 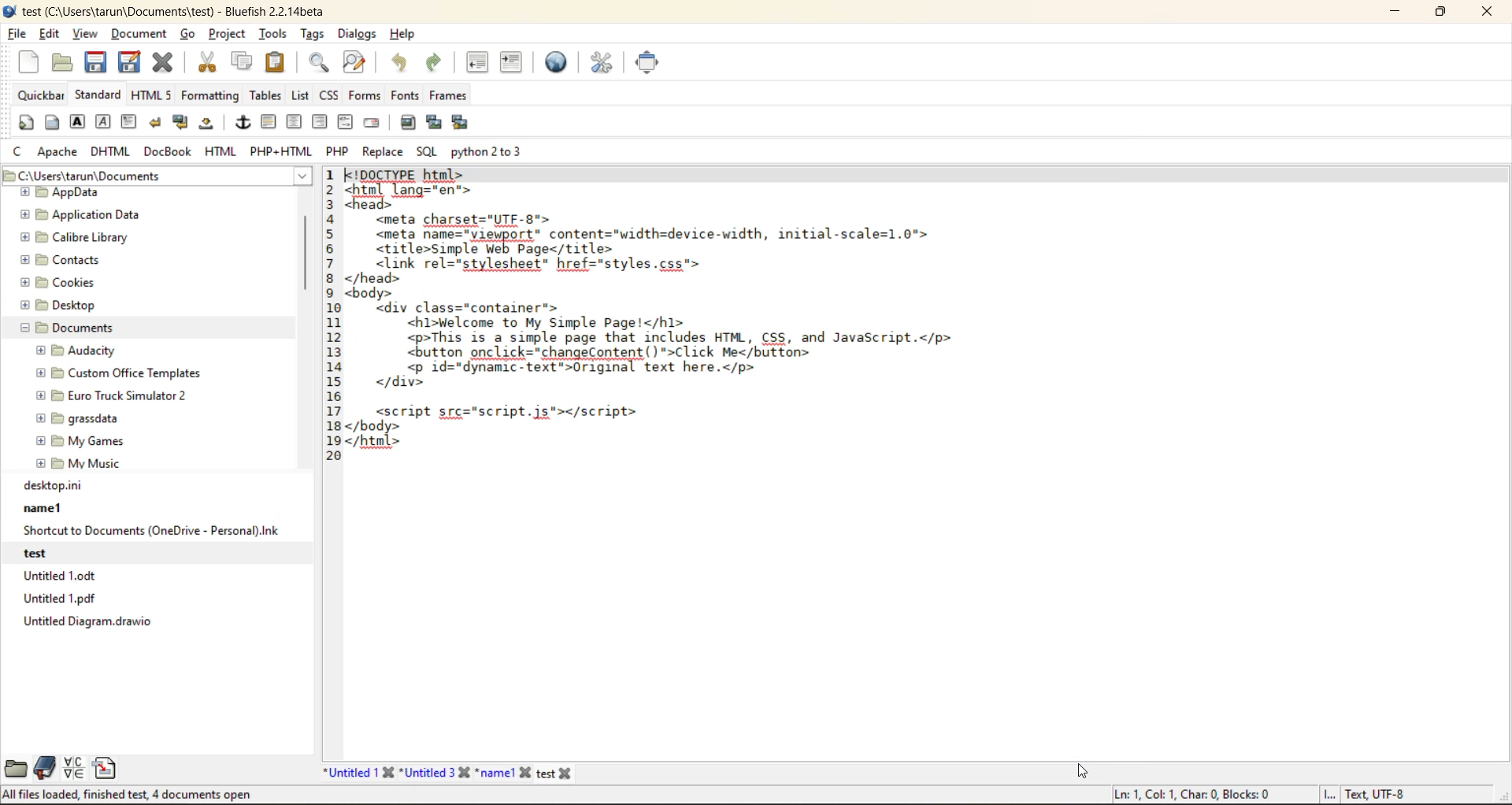 What do you see at coordinates (312, 35) in the screenshot?
I see `tags` at bounding box center [312, 35].